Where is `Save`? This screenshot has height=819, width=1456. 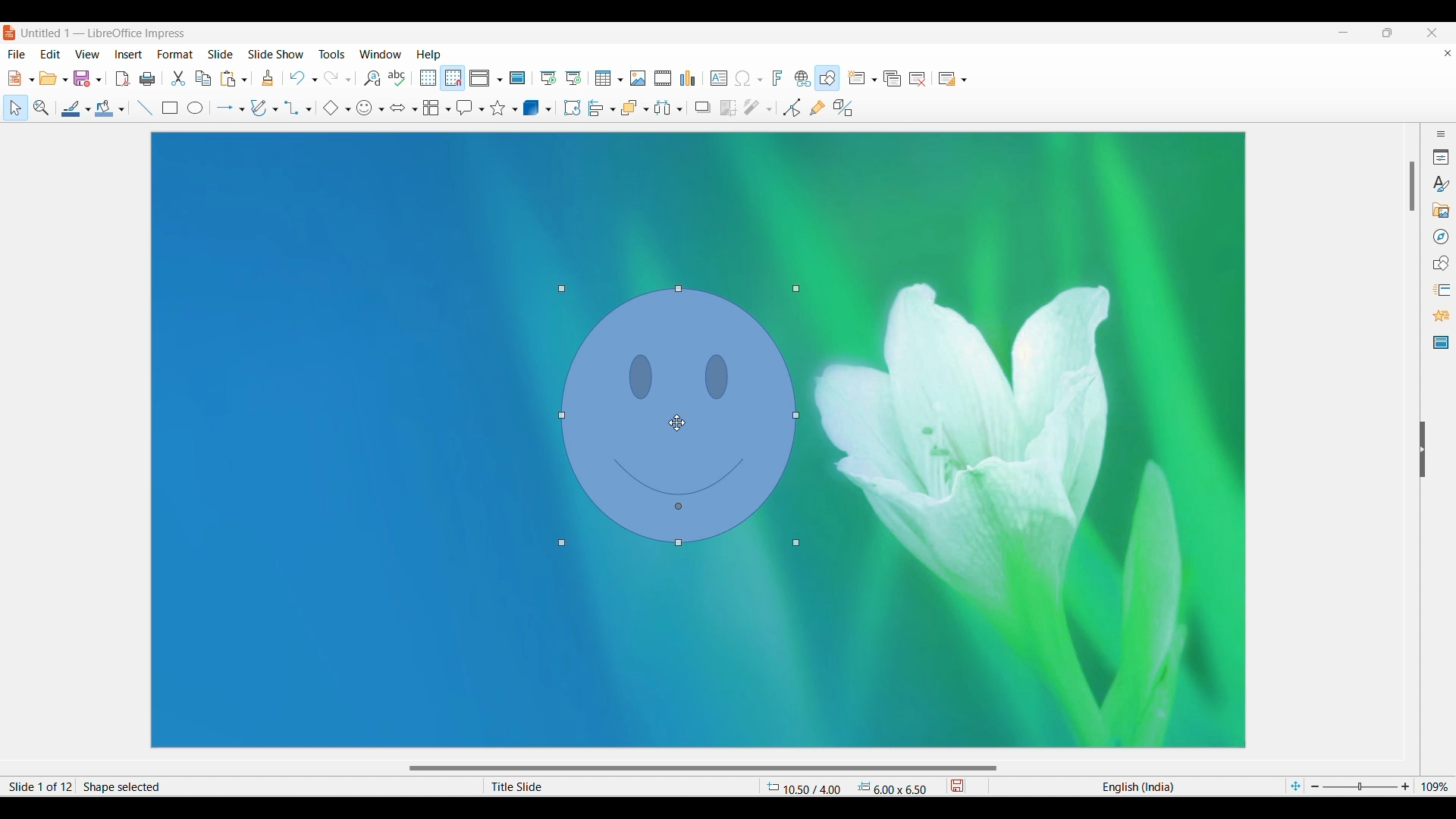
Save is located at coordinates (83, 78).